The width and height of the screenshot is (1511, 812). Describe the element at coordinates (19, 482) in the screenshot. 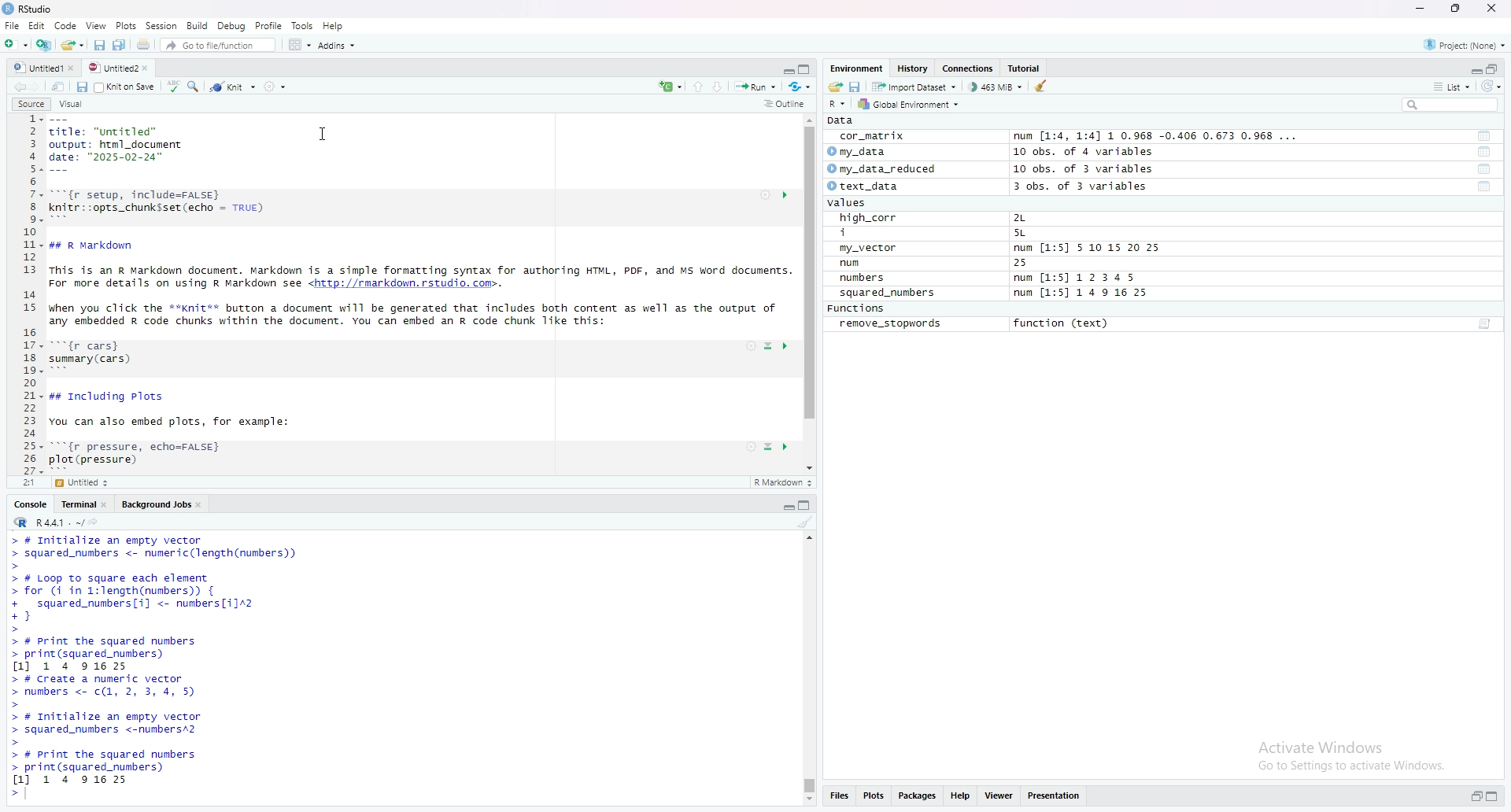

I see `21` at that location.